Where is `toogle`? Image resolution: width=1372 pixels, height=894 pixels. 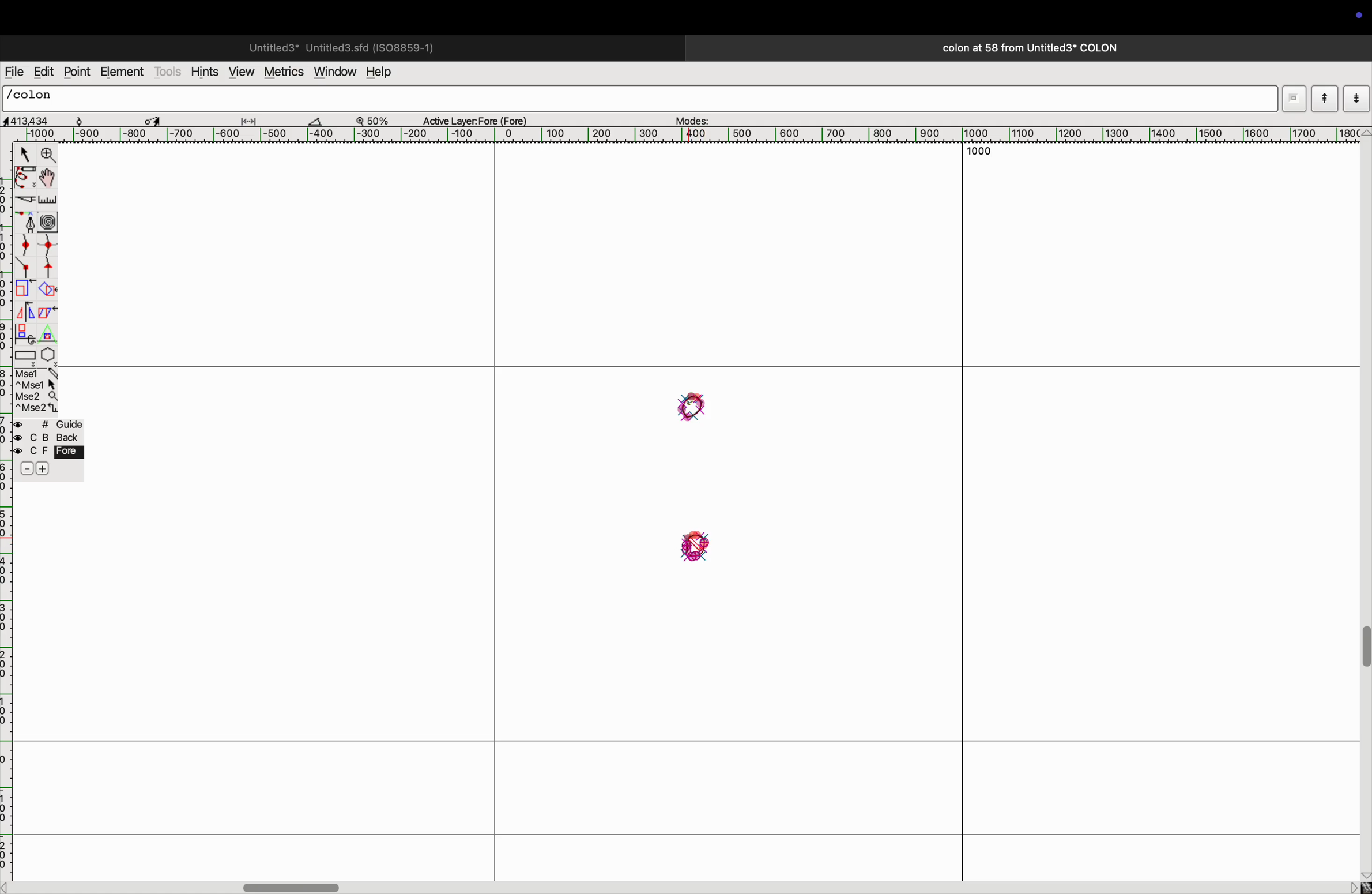 toogle is located at coordinates (47, 179).